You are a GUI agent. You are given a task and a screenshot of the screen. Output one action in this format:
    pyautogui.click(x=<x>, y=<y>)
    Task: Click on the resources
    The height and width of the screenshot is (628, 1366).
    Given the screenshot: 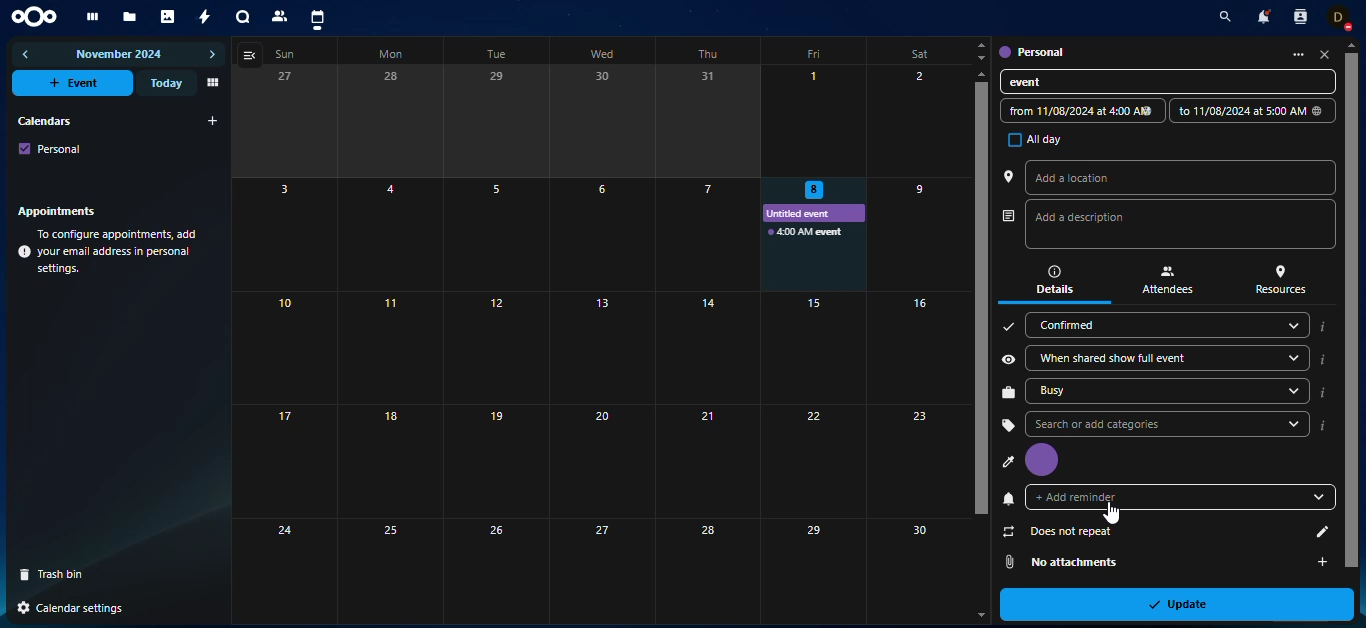 What is the action you would take?
    pyautogui.click(x=1283, y=280)
    